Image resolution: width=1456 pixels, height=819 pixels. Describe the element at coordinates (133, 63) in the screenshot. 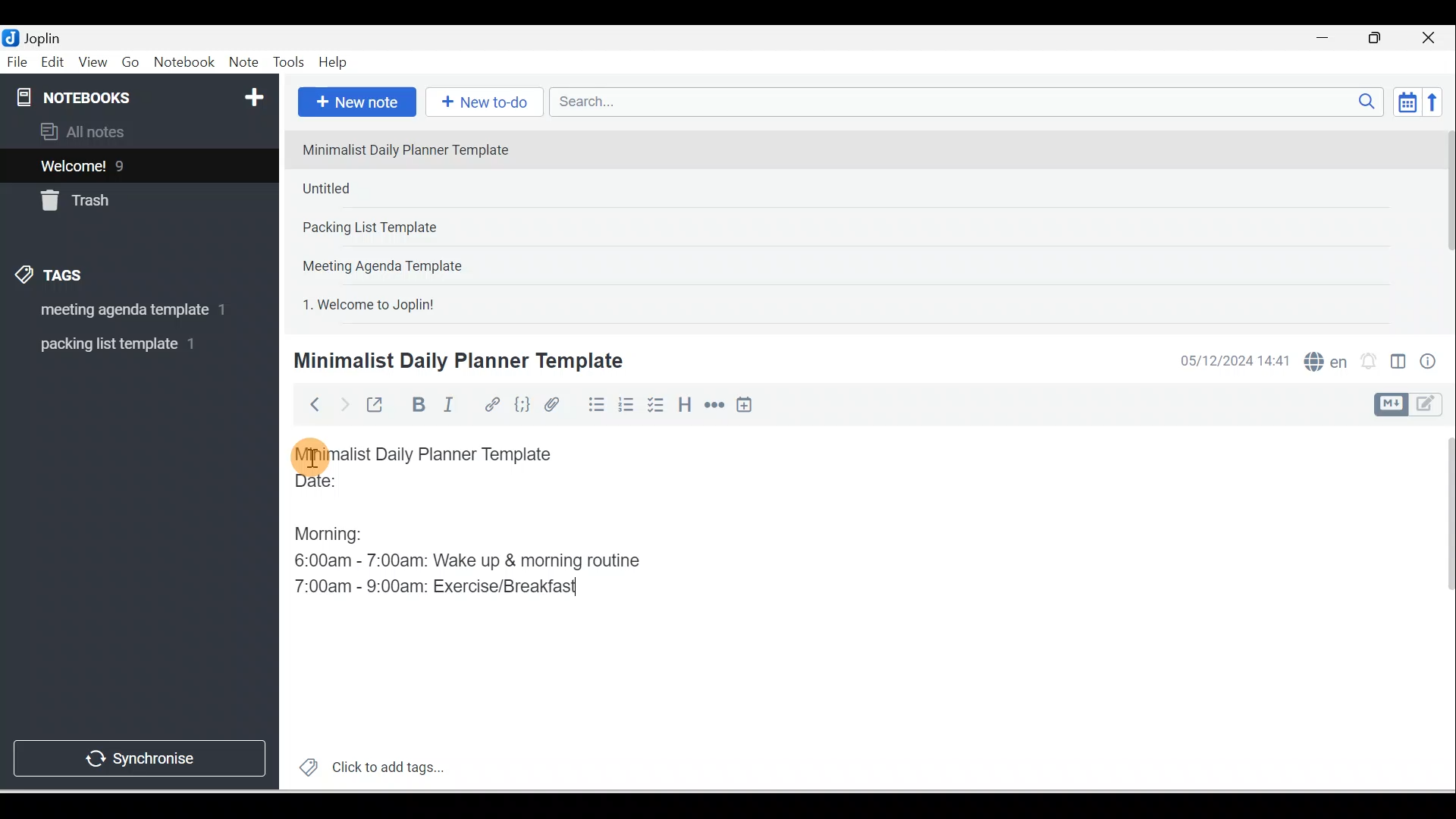

I see `Go` at that location.